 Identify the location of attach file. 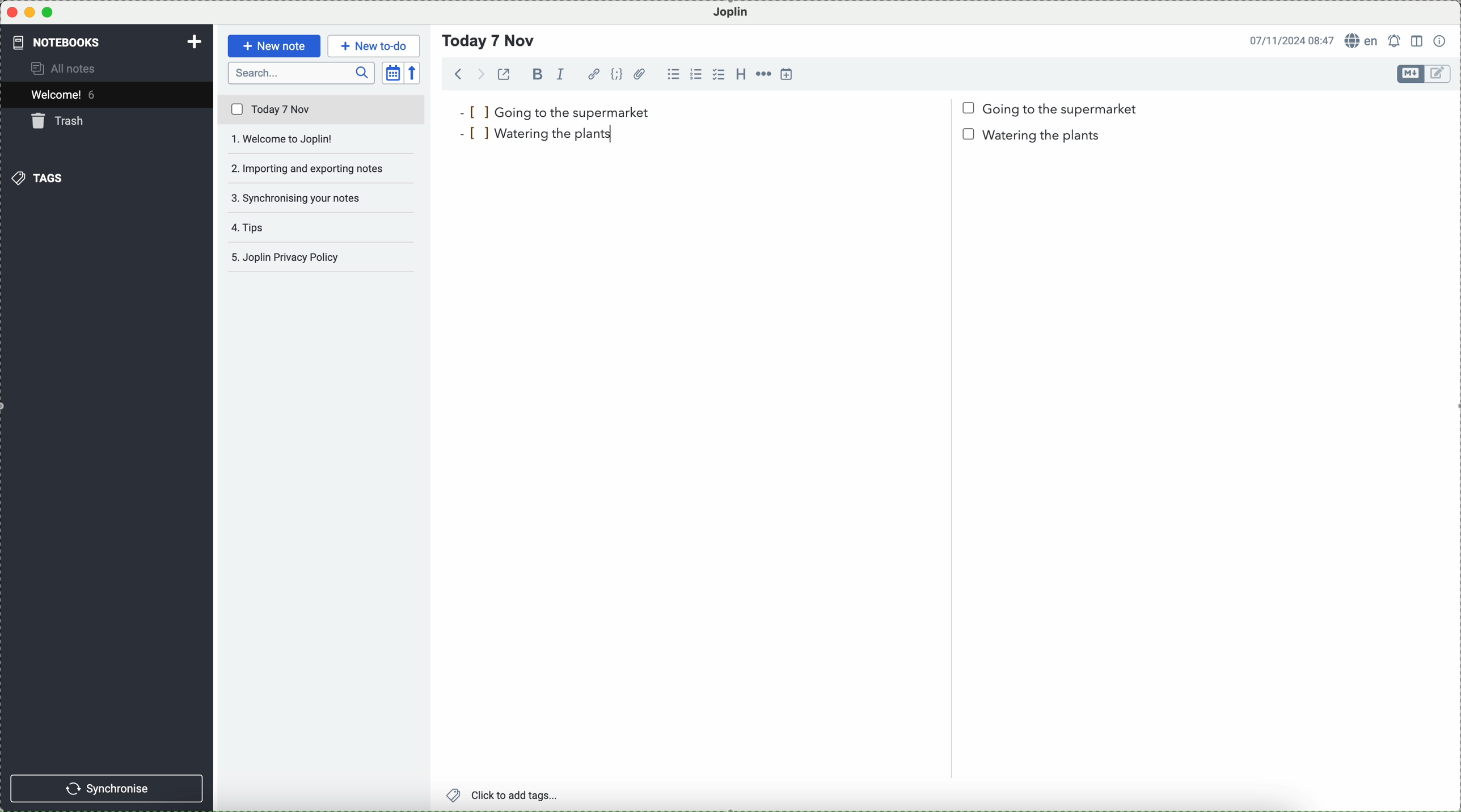
(640, 74).